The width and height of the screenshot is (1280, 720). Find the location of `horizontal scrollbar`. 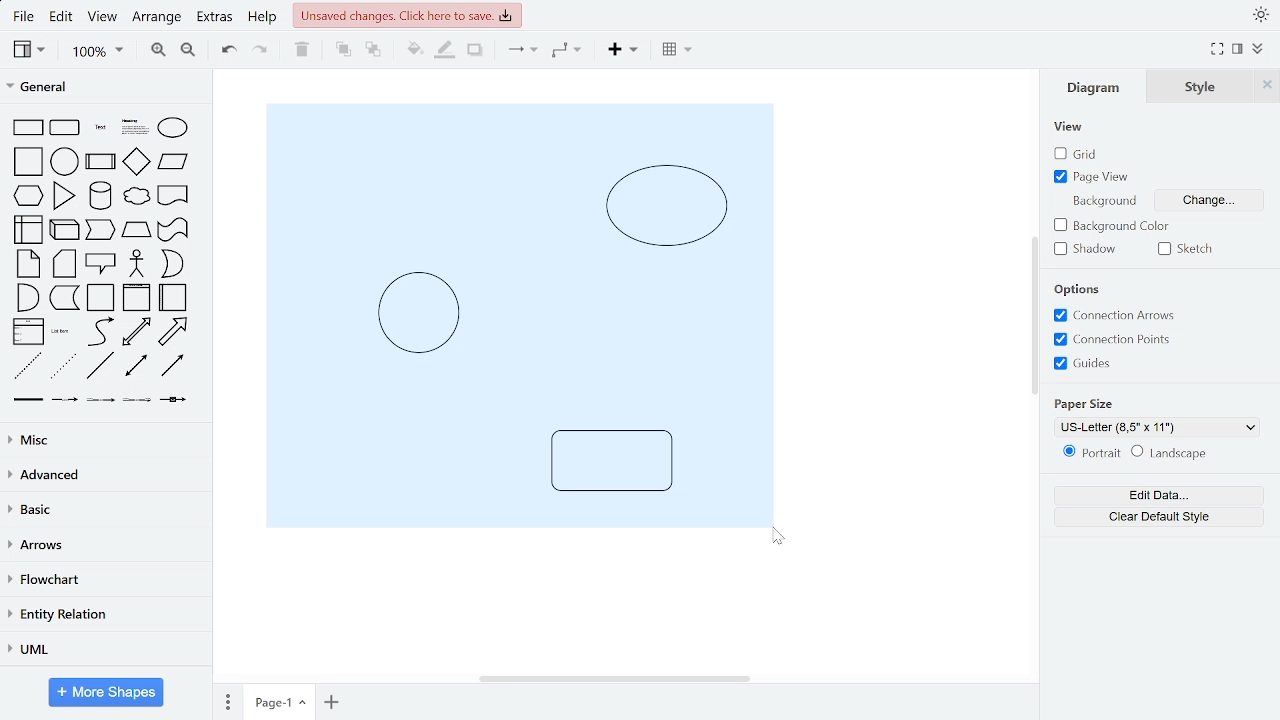

horizontal scrollbar is located at coordinates (614, 677).